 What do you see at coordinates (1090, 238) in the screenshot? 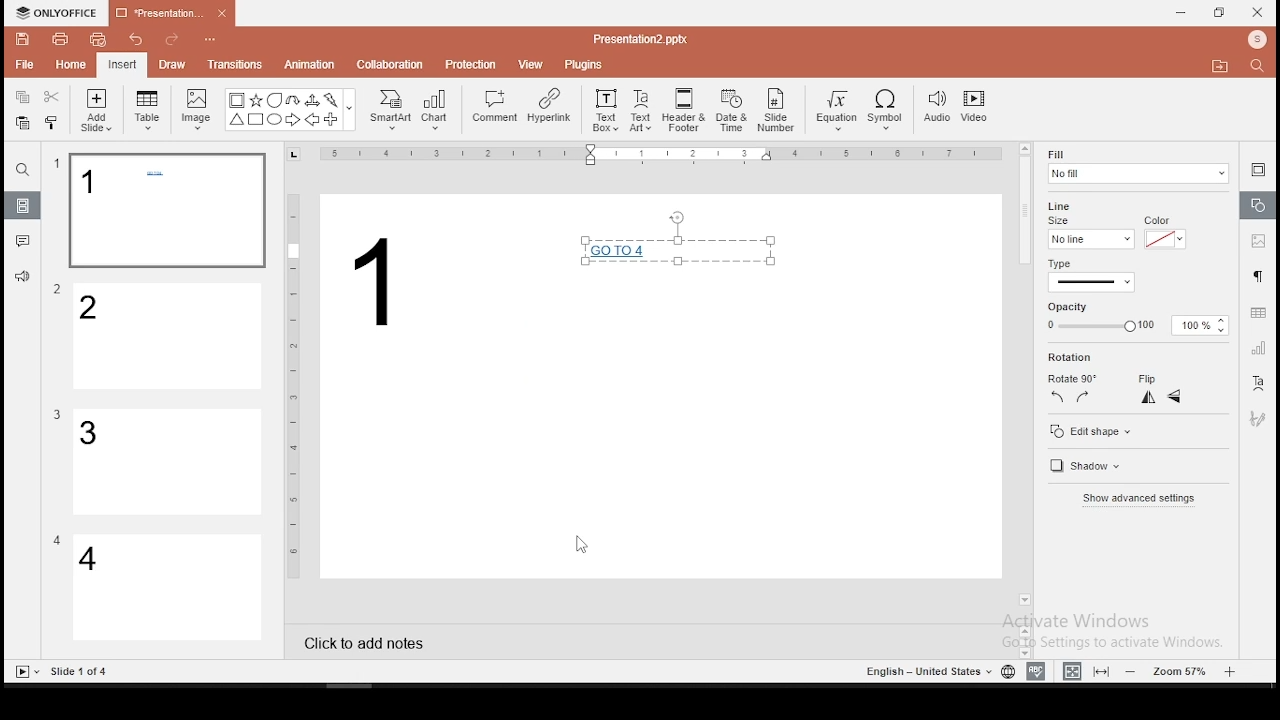
I see `line size` at bounding box center [1090, 238].